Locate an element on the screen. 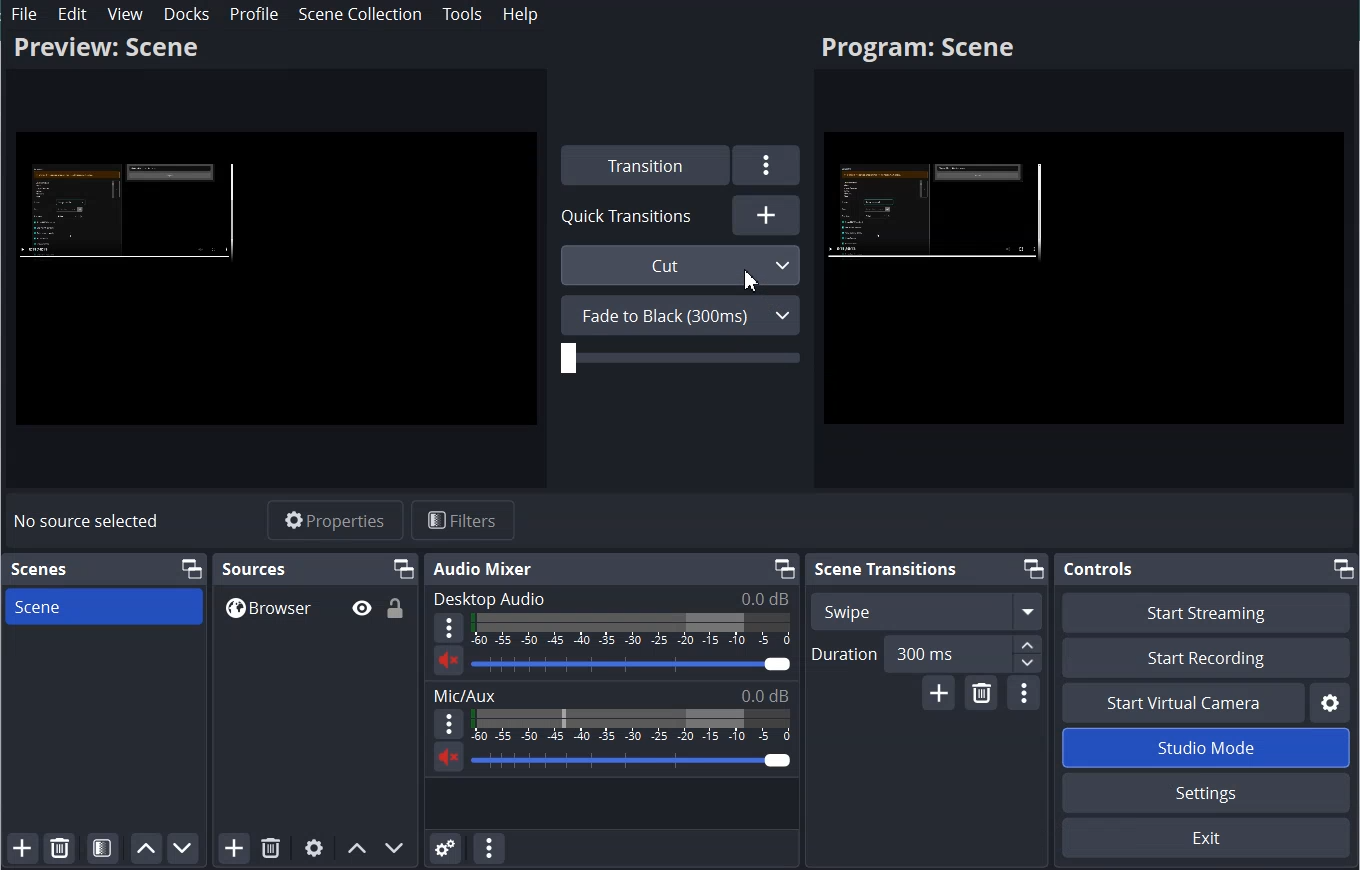 Image resolution: width=1360 pixels, height=870 pixels. Remove Selected Scene is located at coordinates (60, 847).